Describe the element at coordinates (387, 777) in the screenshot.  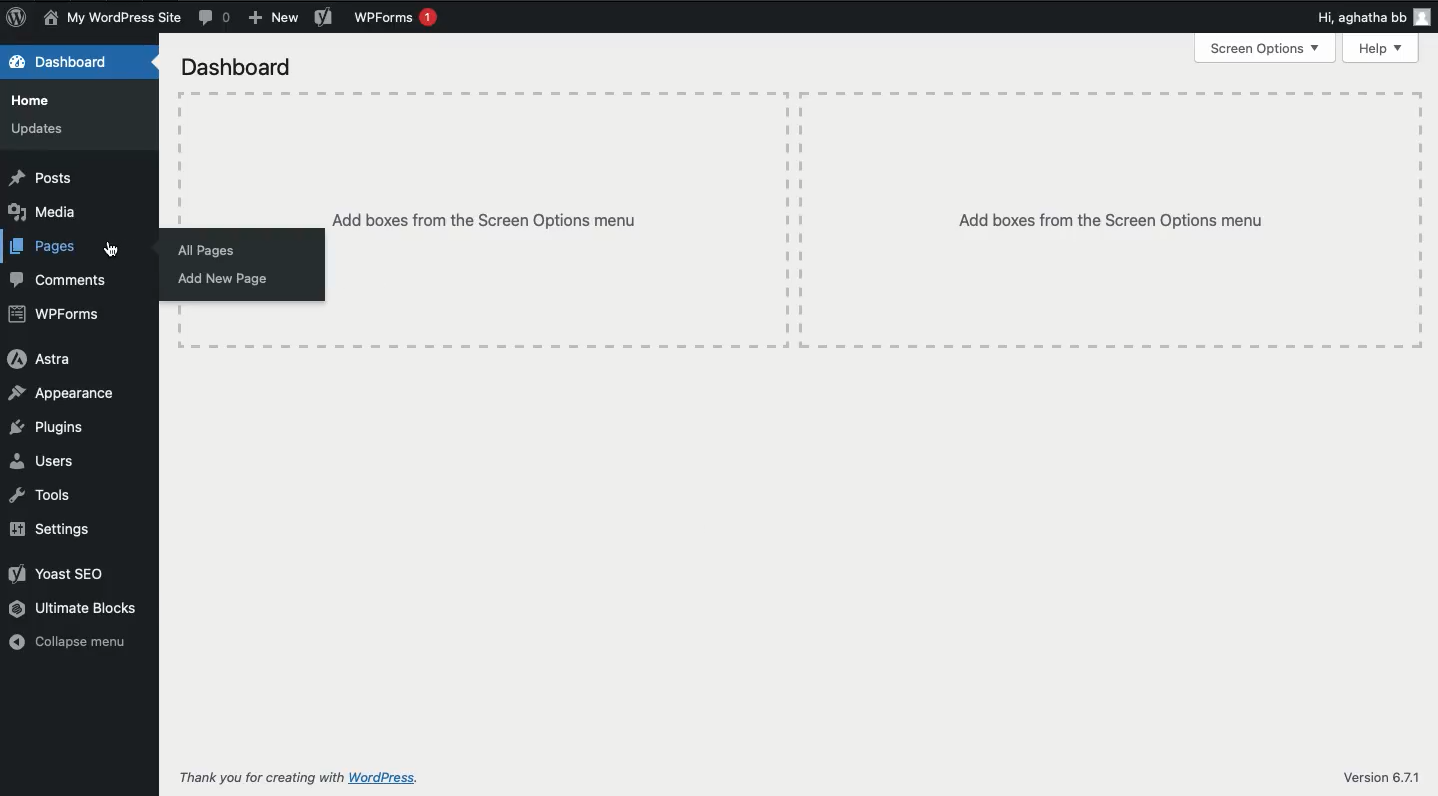
I see `wordpress` at that location.